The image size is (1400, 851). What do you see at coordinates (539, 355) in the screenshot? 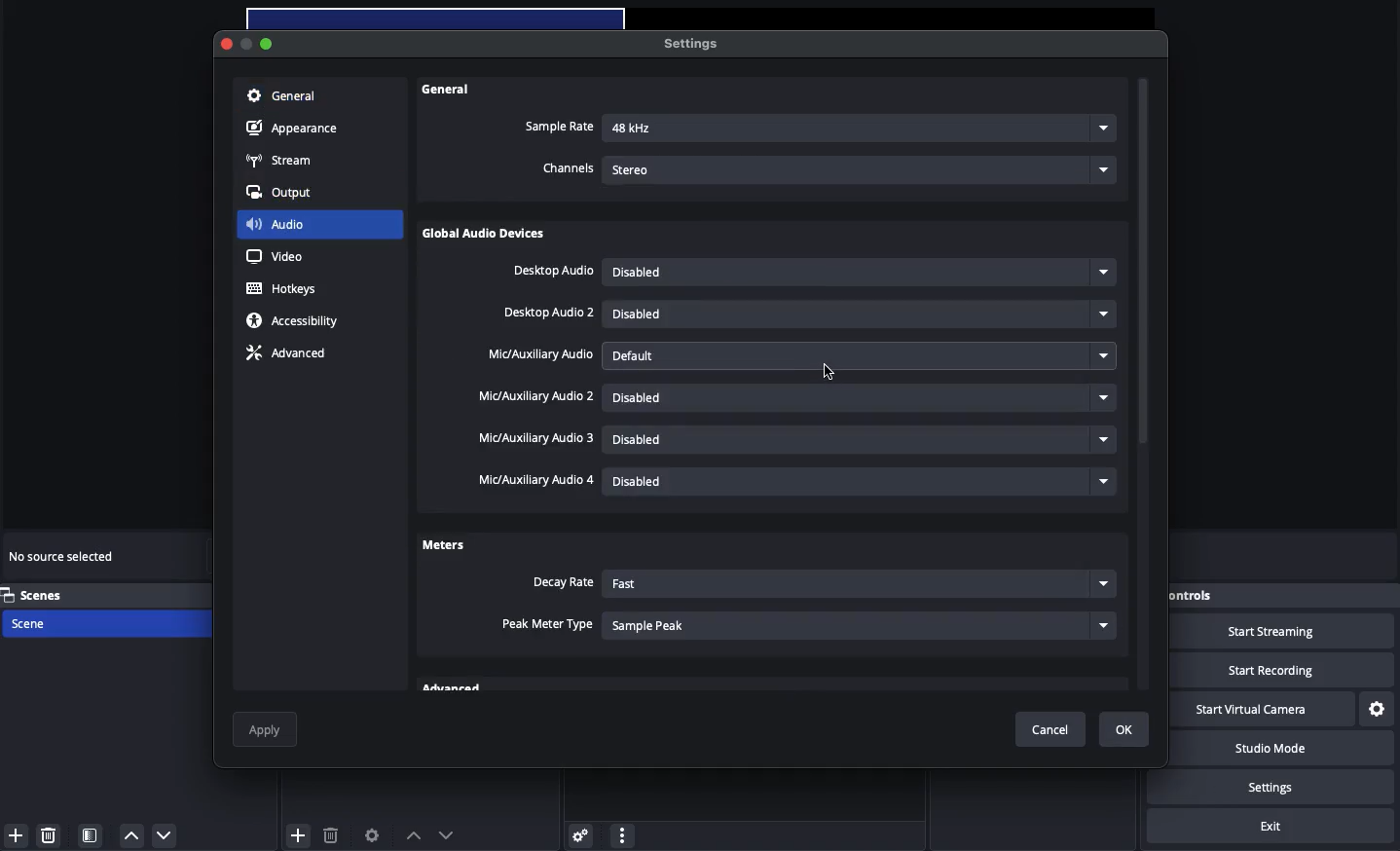
I see `Mic auxiliary audio` at bounding box center [539, 355].